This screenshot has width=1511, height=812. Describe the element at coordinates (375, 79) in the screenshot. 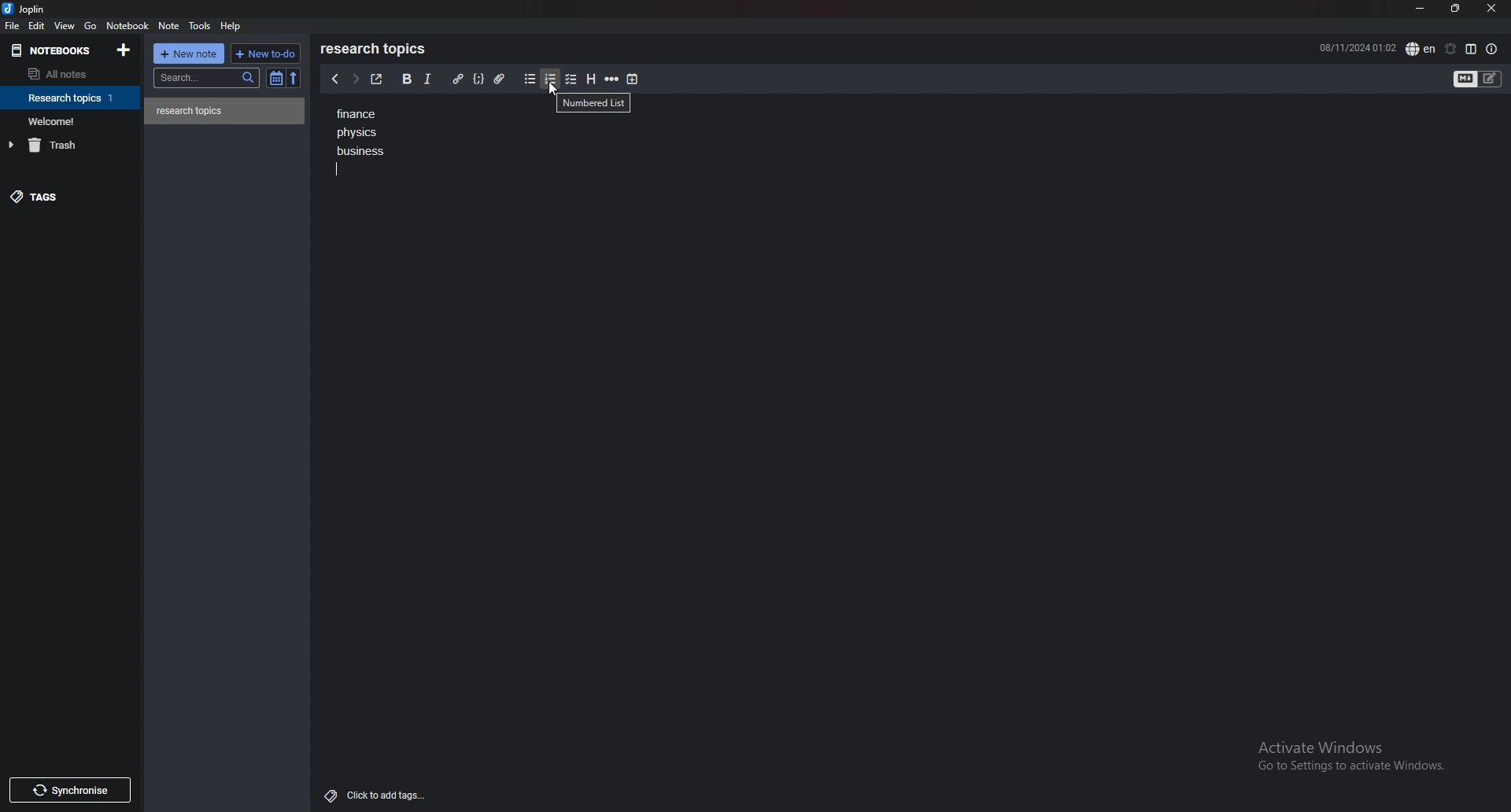

I see `toggle external editor` at that location.